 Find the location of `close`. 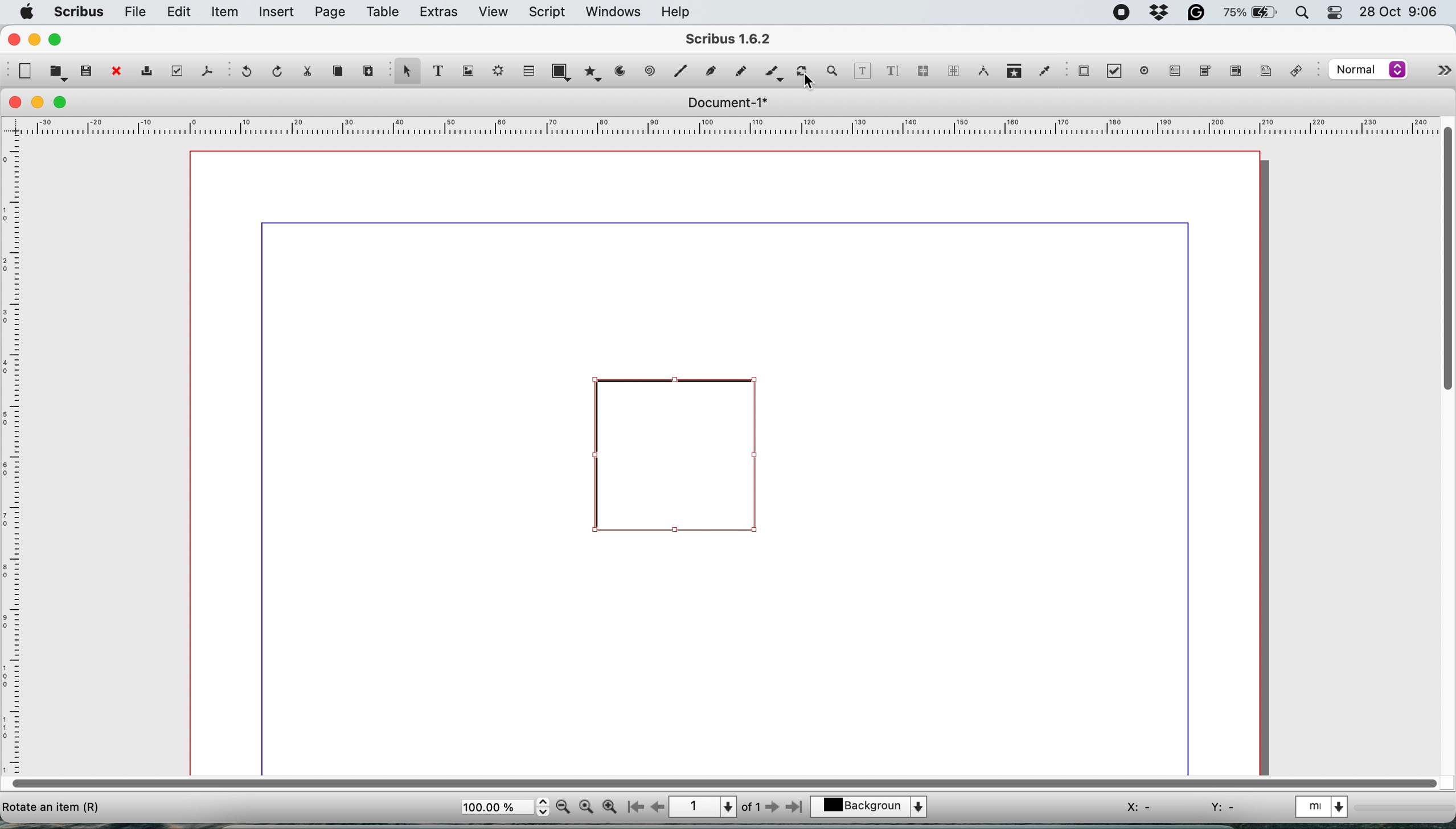

close is located at coordinates (116, 72).